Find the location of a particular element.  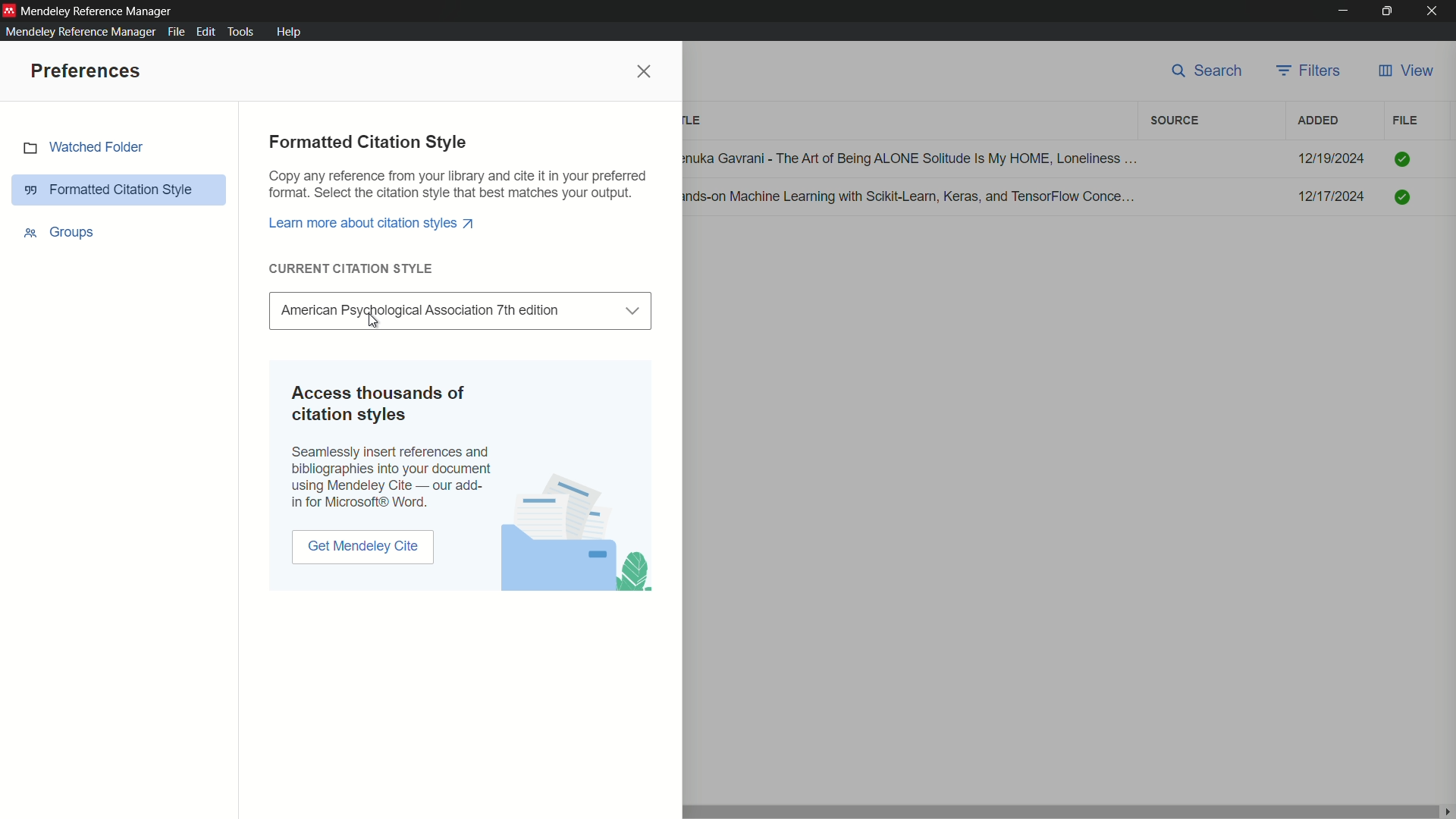

watched folder is located at coordinates (83, 149).